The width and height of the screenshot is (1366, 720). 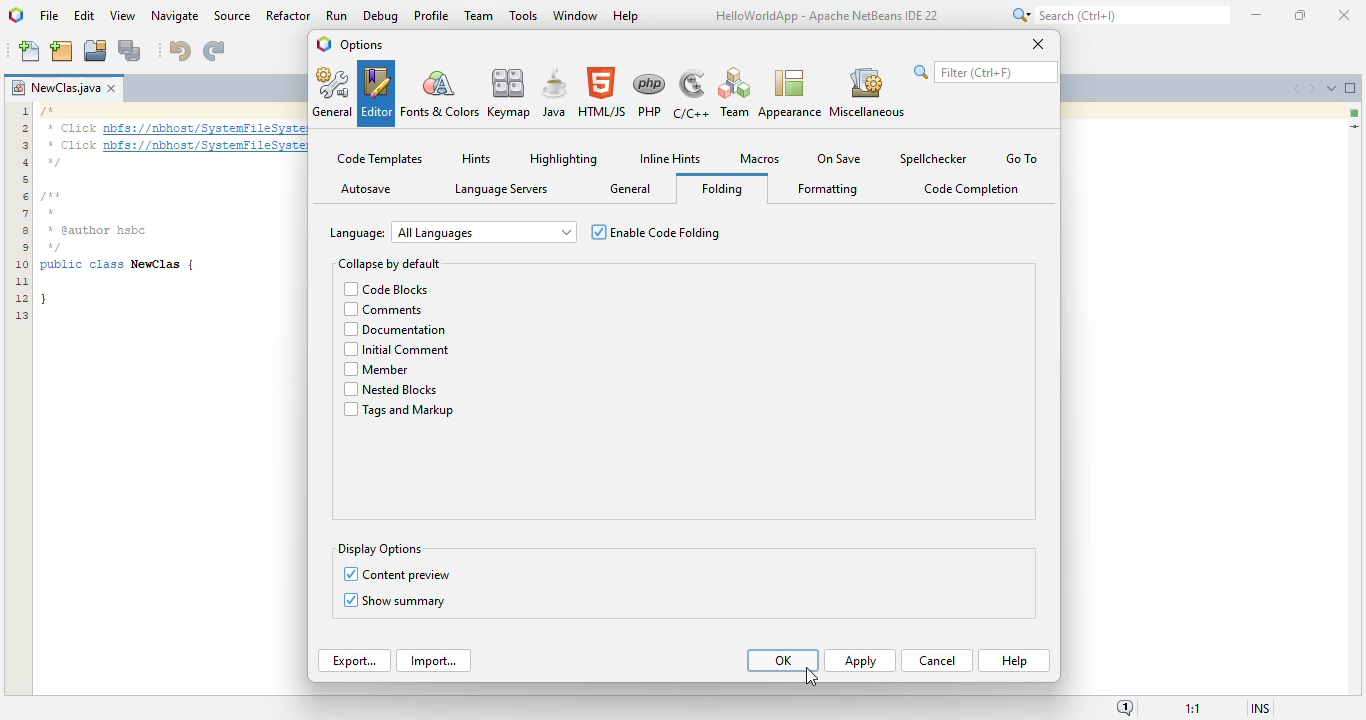 I want to click on Apply, so click(x=861, y=661).